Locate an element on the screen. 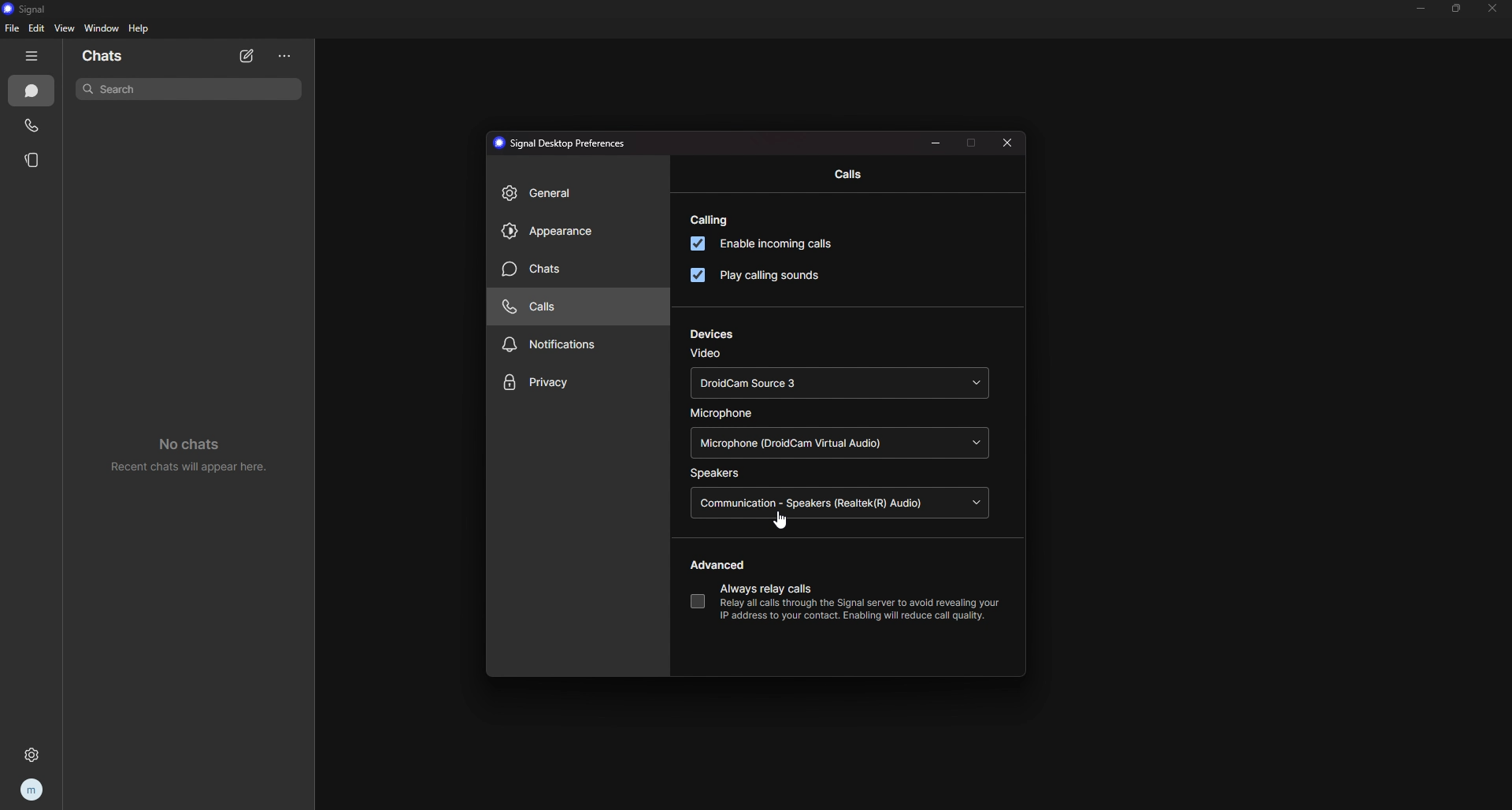 This screenshot has width=1512, height=810. options is located at coordinates (284, 57).